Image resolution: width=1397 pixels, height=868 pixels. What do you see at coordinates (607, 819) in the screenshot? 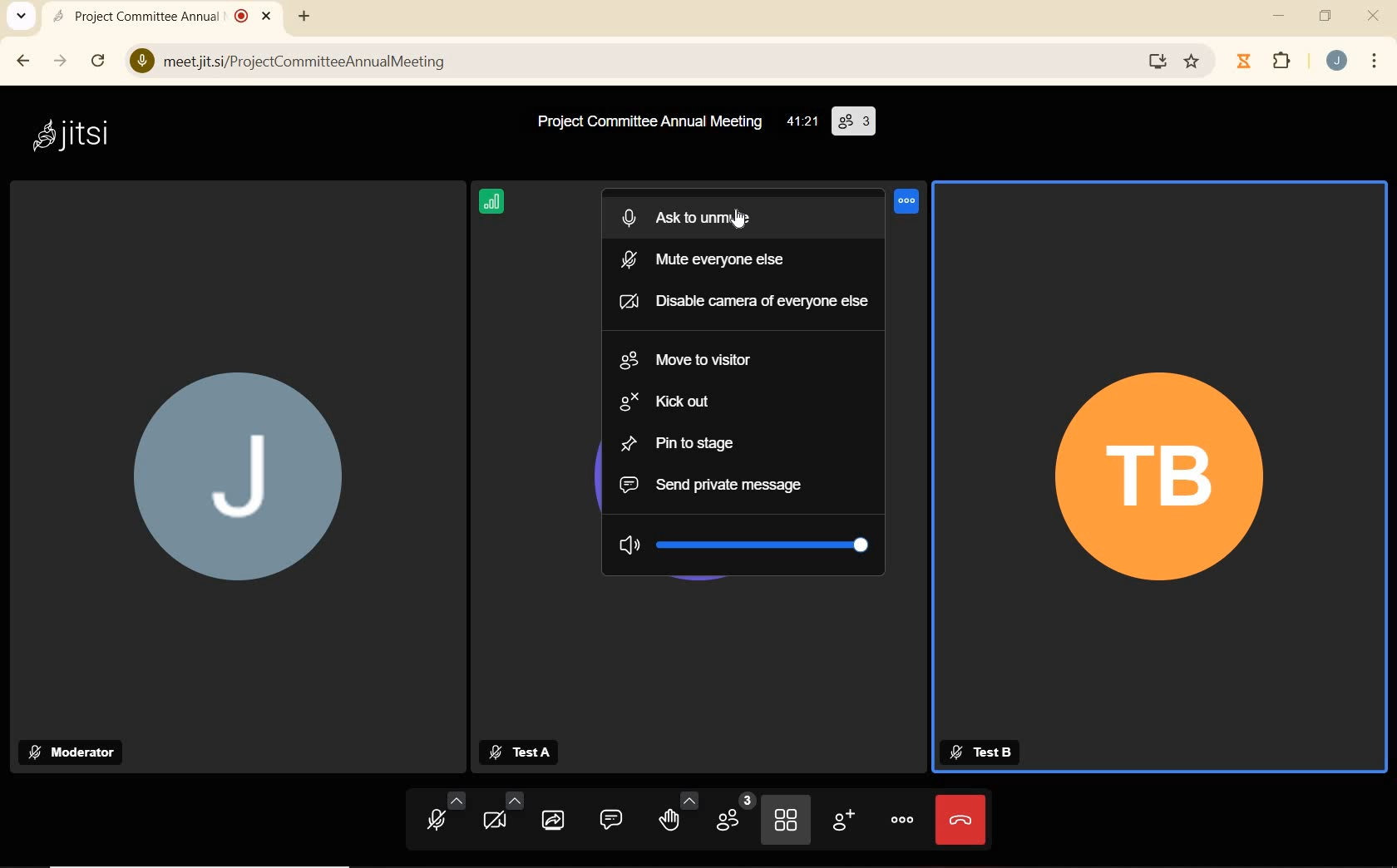
I see `OPEN CHAT` at bounding box center [607, 819].